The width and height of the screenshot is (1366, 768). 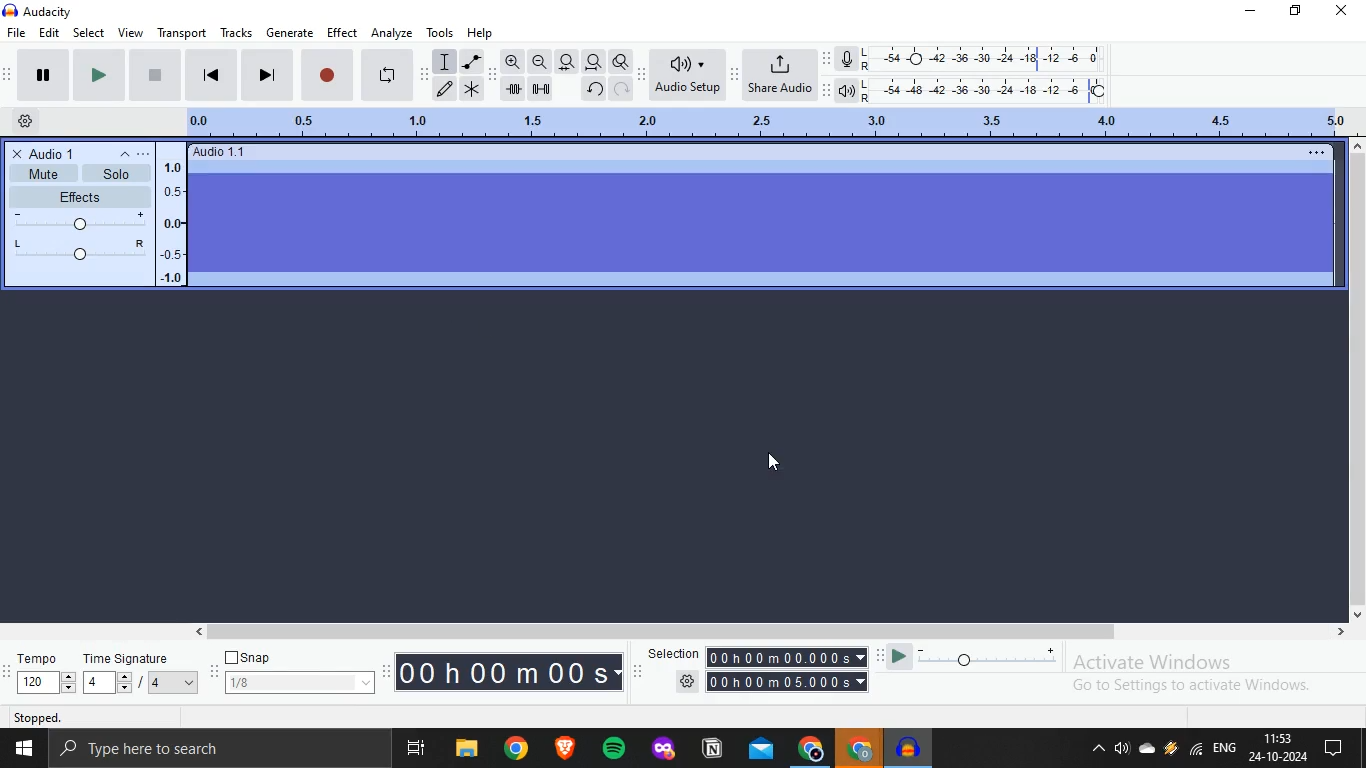 I want to click on Brave, so click(x=569, y=748).